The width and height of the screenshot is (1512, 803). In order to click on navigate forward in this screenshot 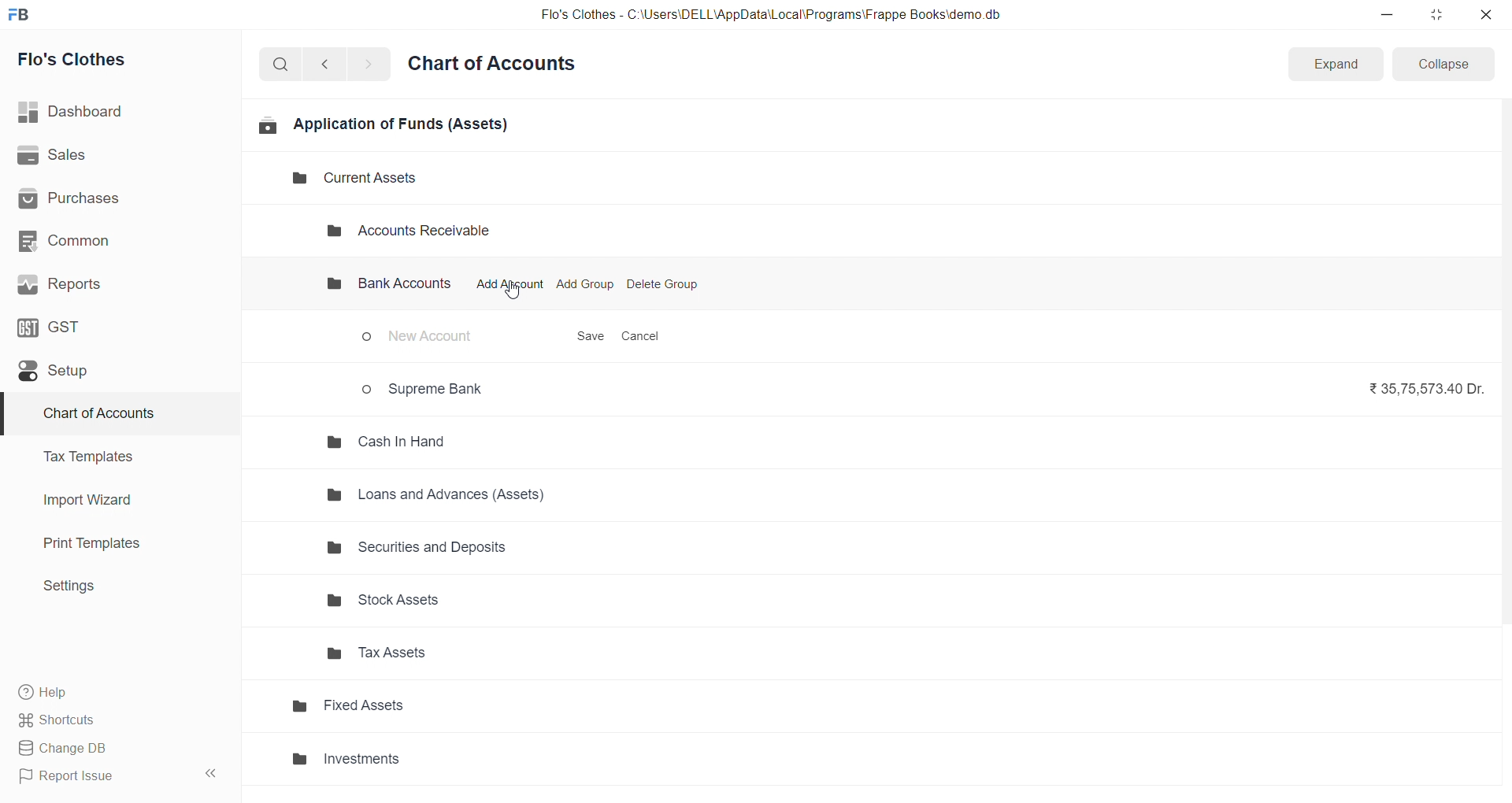, I will do `click(368, 63)`.